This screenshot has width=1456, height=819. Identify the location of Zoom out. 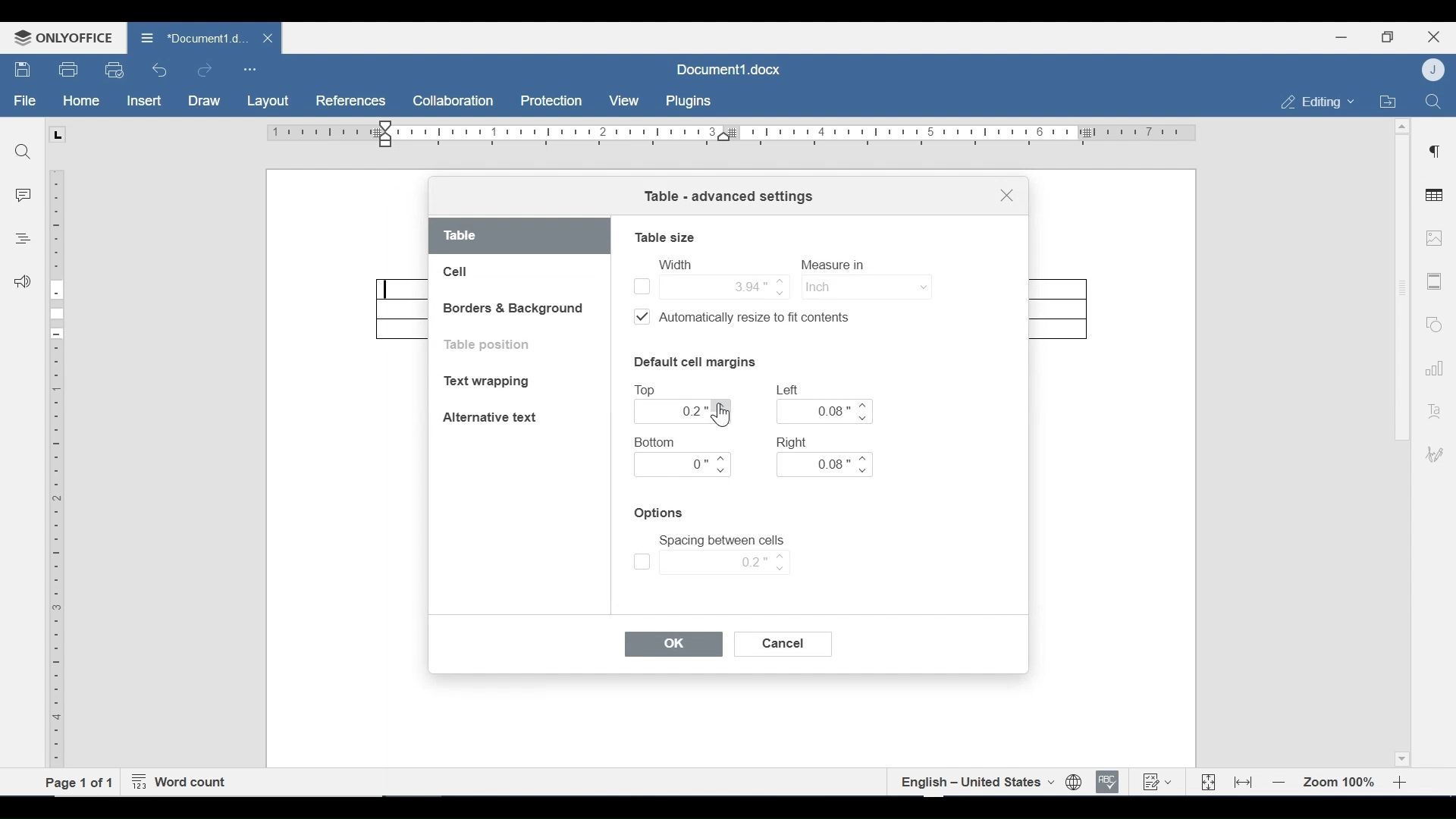
(1279, 783).